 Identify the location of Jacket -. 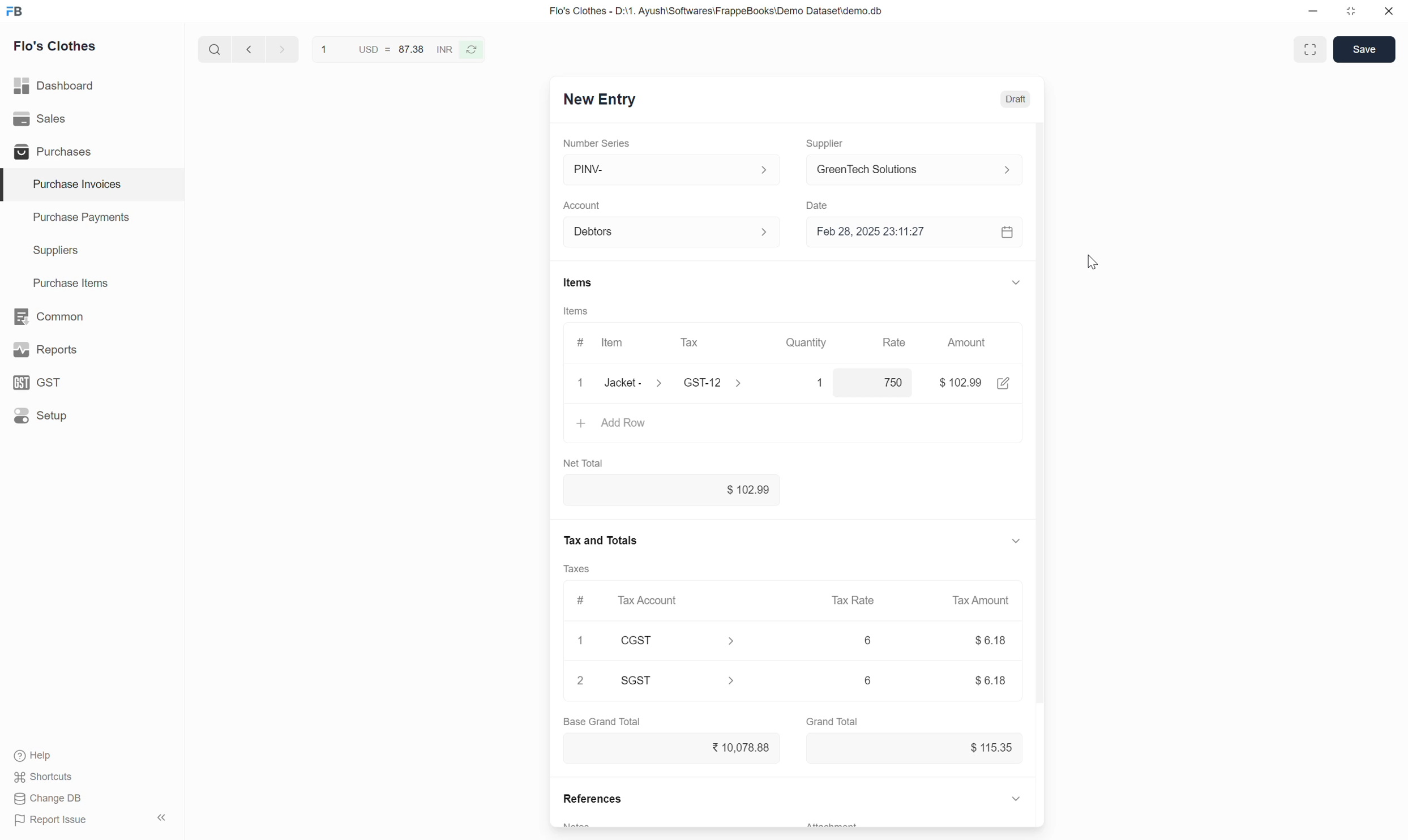
(636, 383).